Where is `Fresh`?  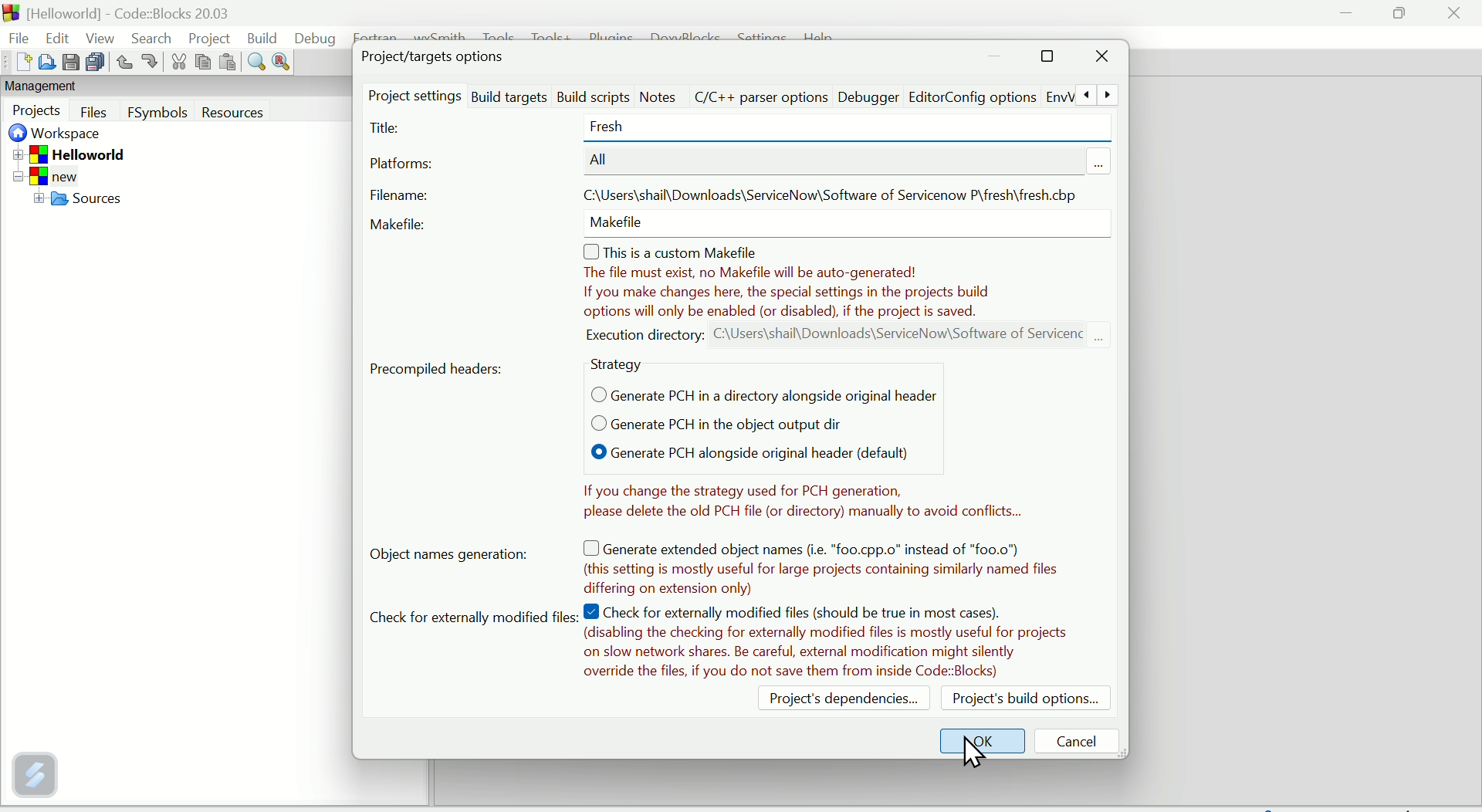
Fresh is located at coordinates (629, 128).